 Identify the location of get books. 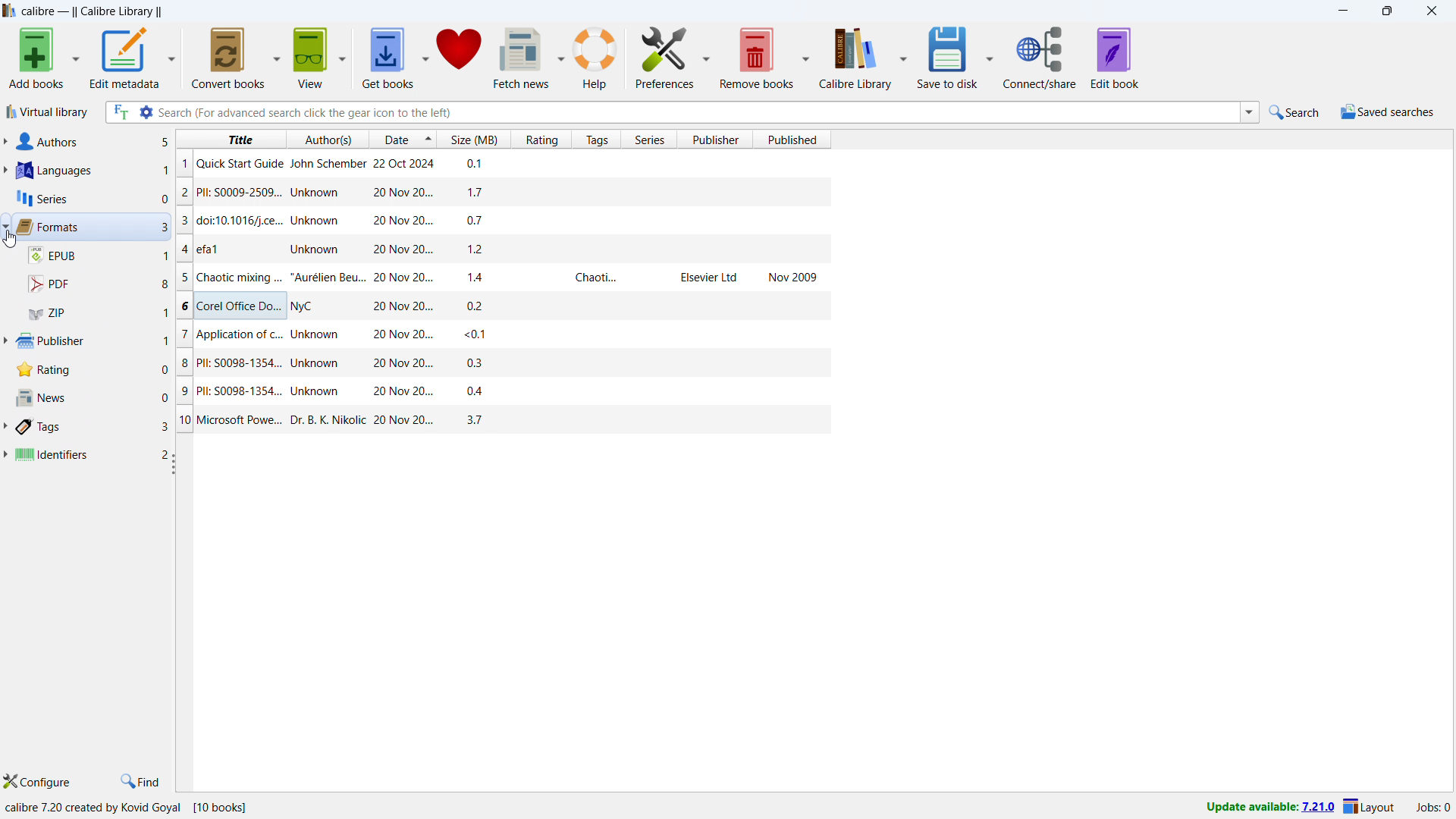
(389, 57).